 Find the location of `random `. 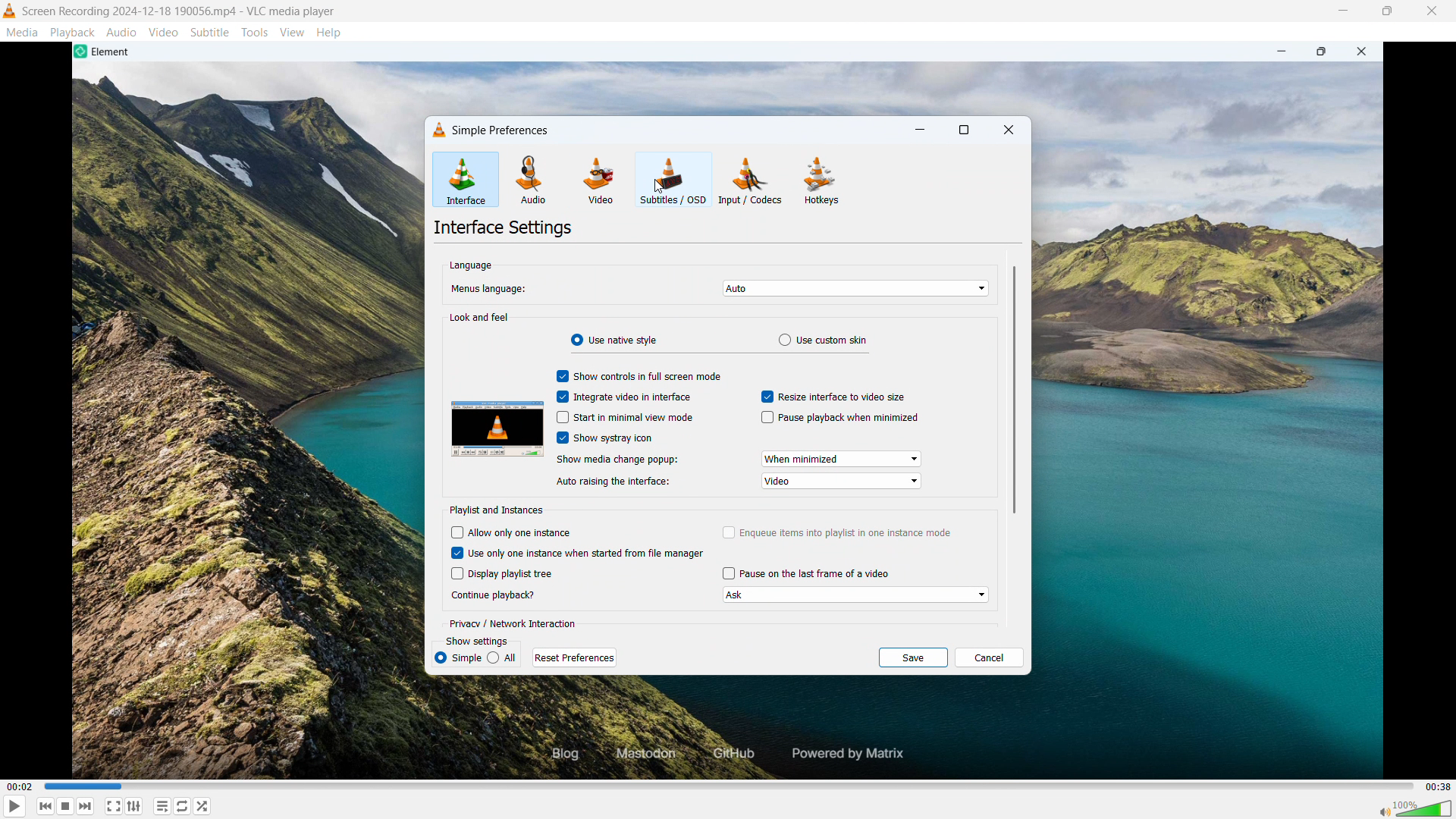

random  is located at coordinates (203, 806).